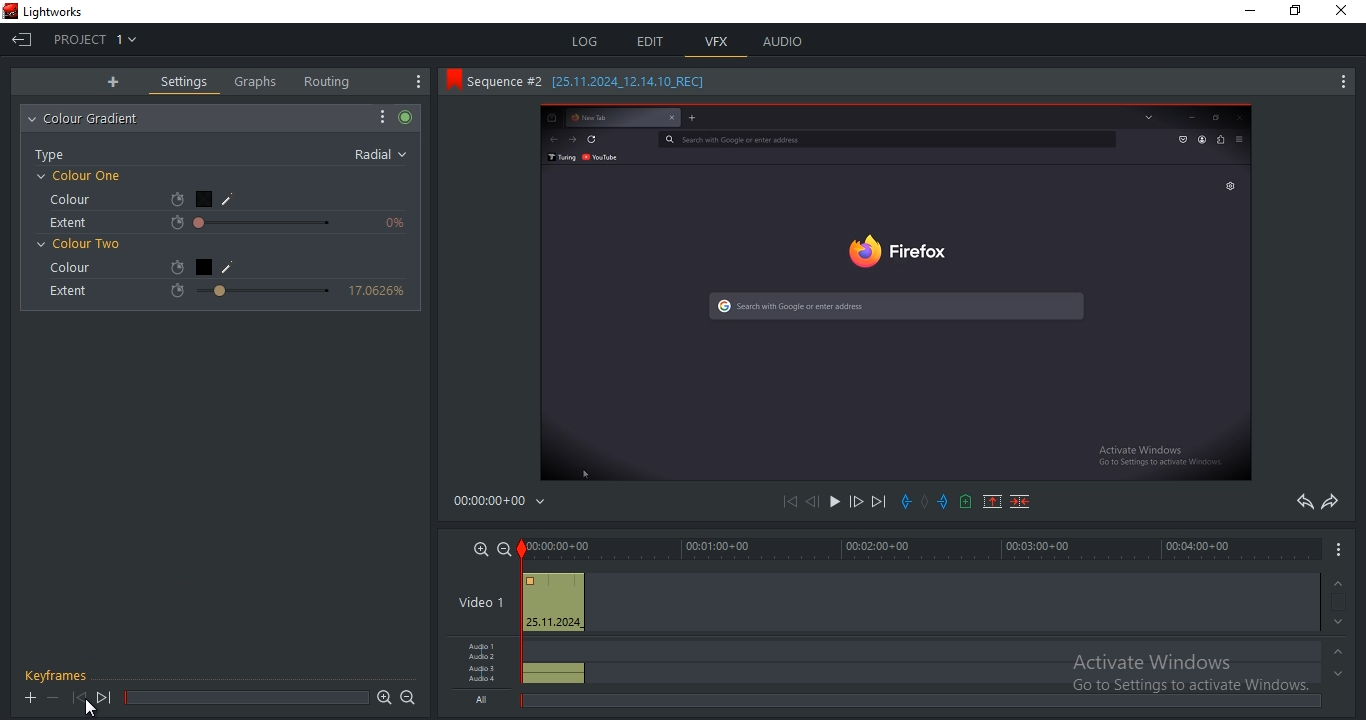  Describe the element at coordinates (180, 265) in the screenshot. I see `duration icon` at that location.